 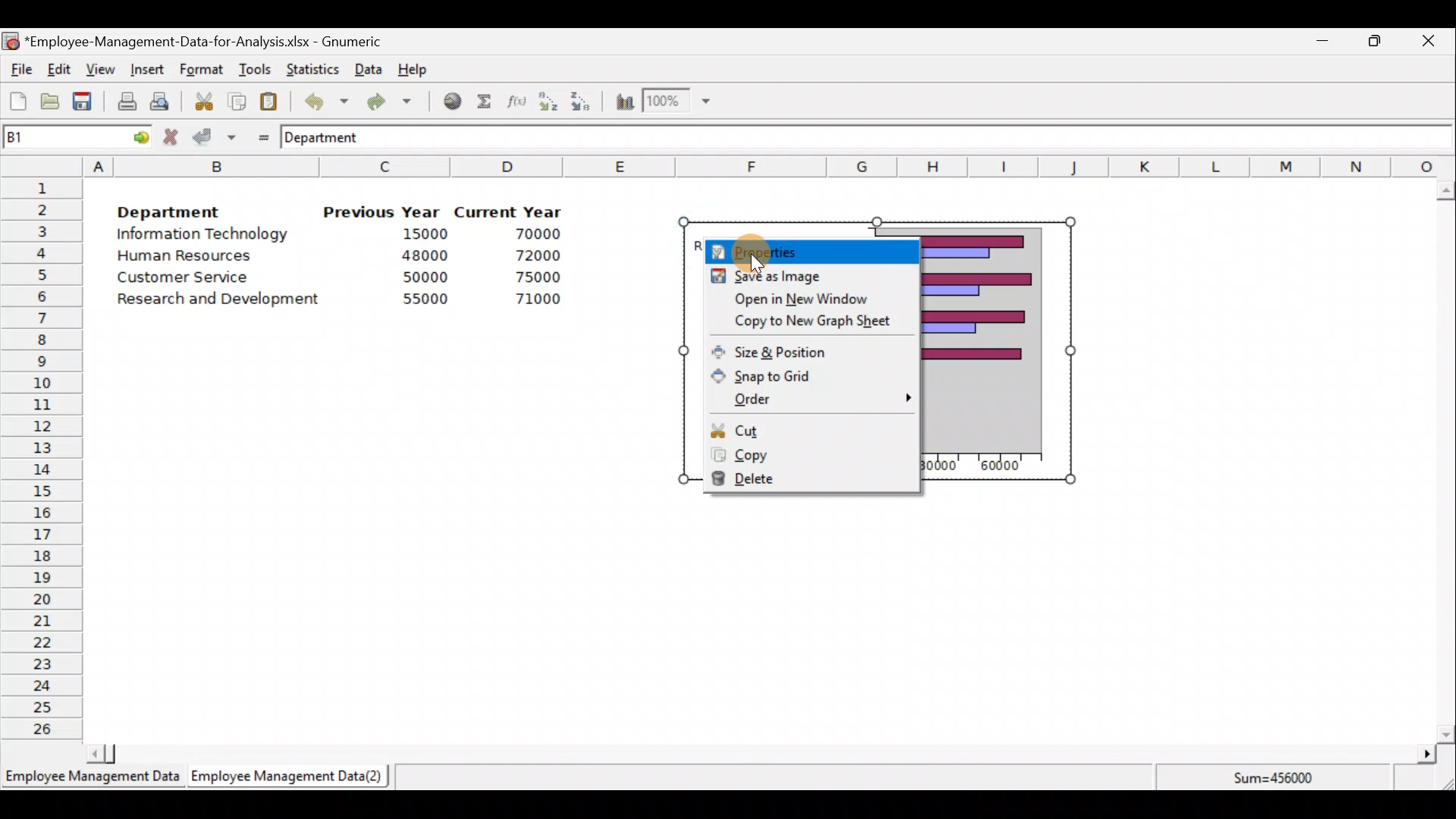 What do you see at coordinates (208, 40) in the screenshot?
I see `‘Employee-Management-Data-for-Analysis.xlsx - Gnumeric` at bounding box center [208, 40].